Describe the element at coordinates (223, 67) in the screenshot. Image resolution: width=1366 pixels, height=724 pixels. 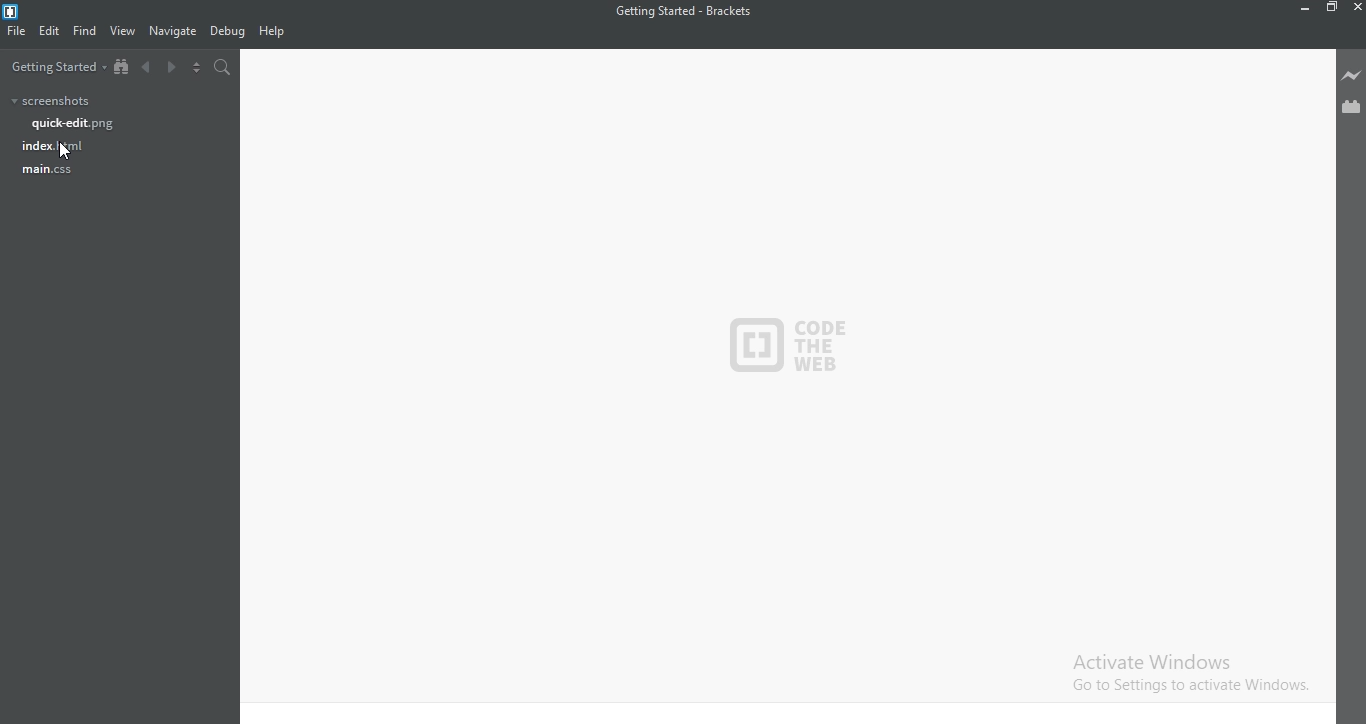
I see `search` at that location.